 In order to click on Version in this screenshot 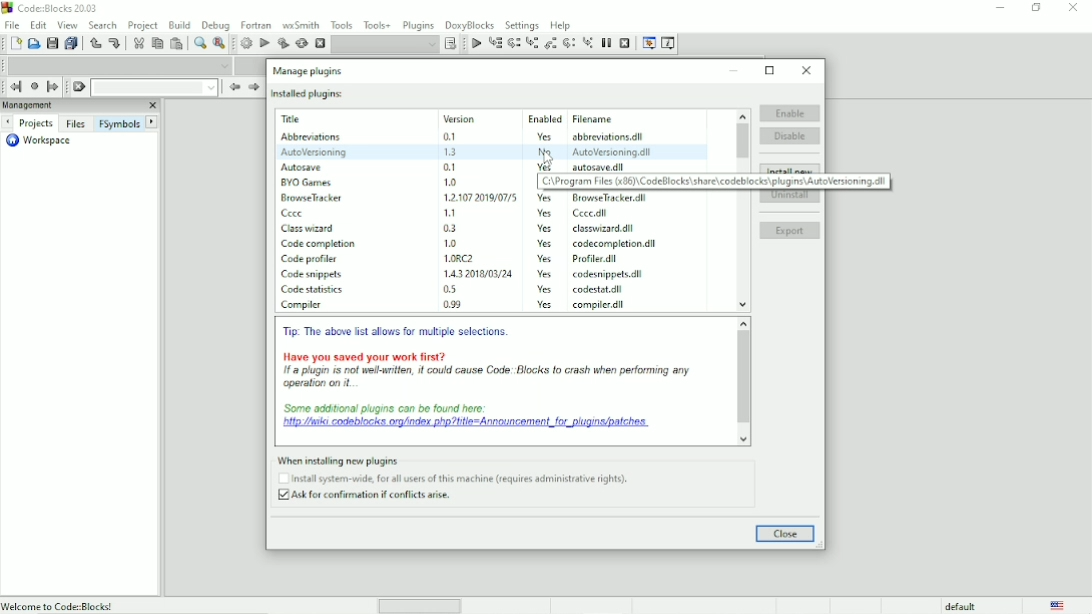, I will do `click(478, 117)`.